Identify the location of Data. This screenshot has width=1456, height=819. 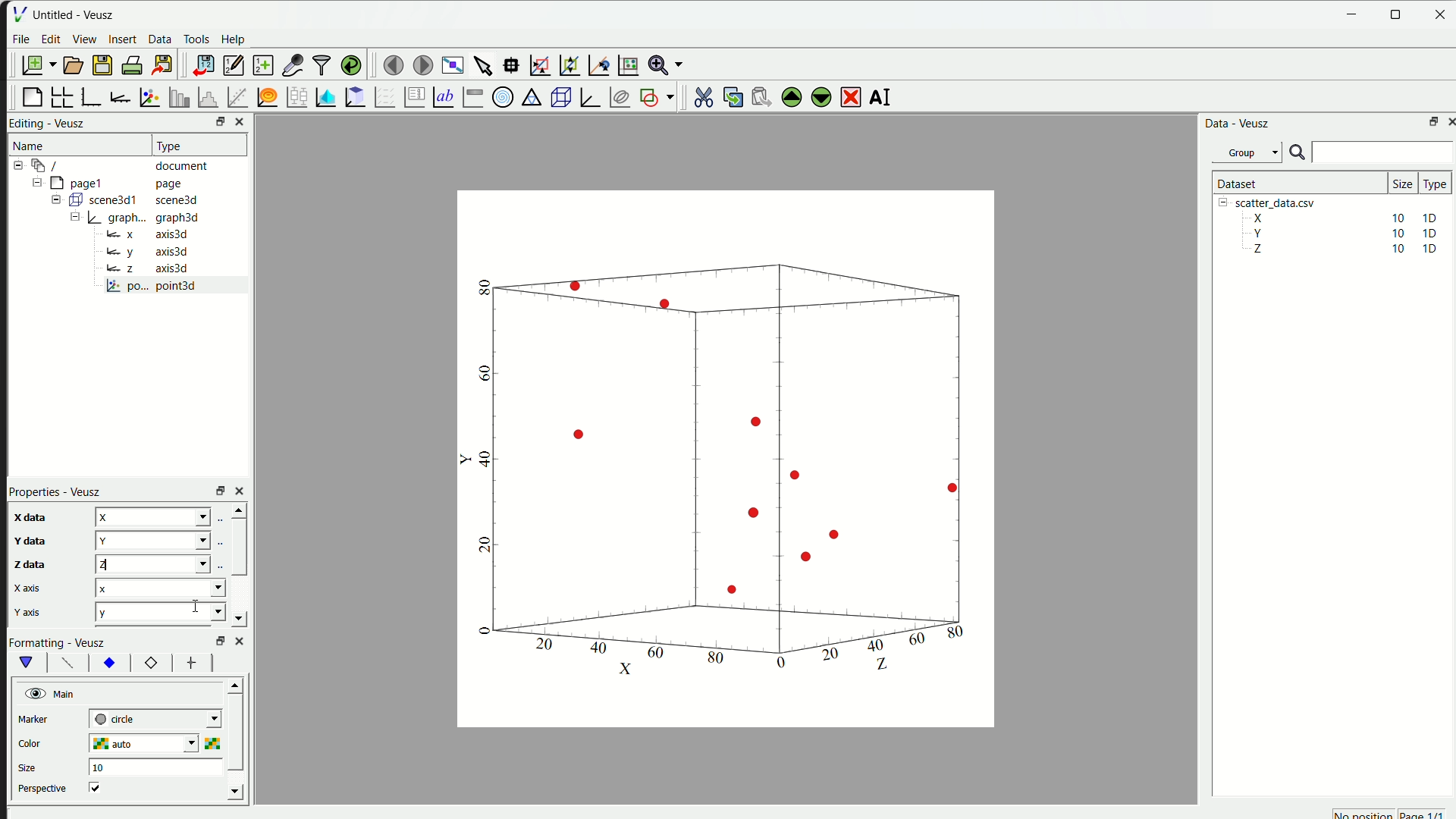
(158, 40).